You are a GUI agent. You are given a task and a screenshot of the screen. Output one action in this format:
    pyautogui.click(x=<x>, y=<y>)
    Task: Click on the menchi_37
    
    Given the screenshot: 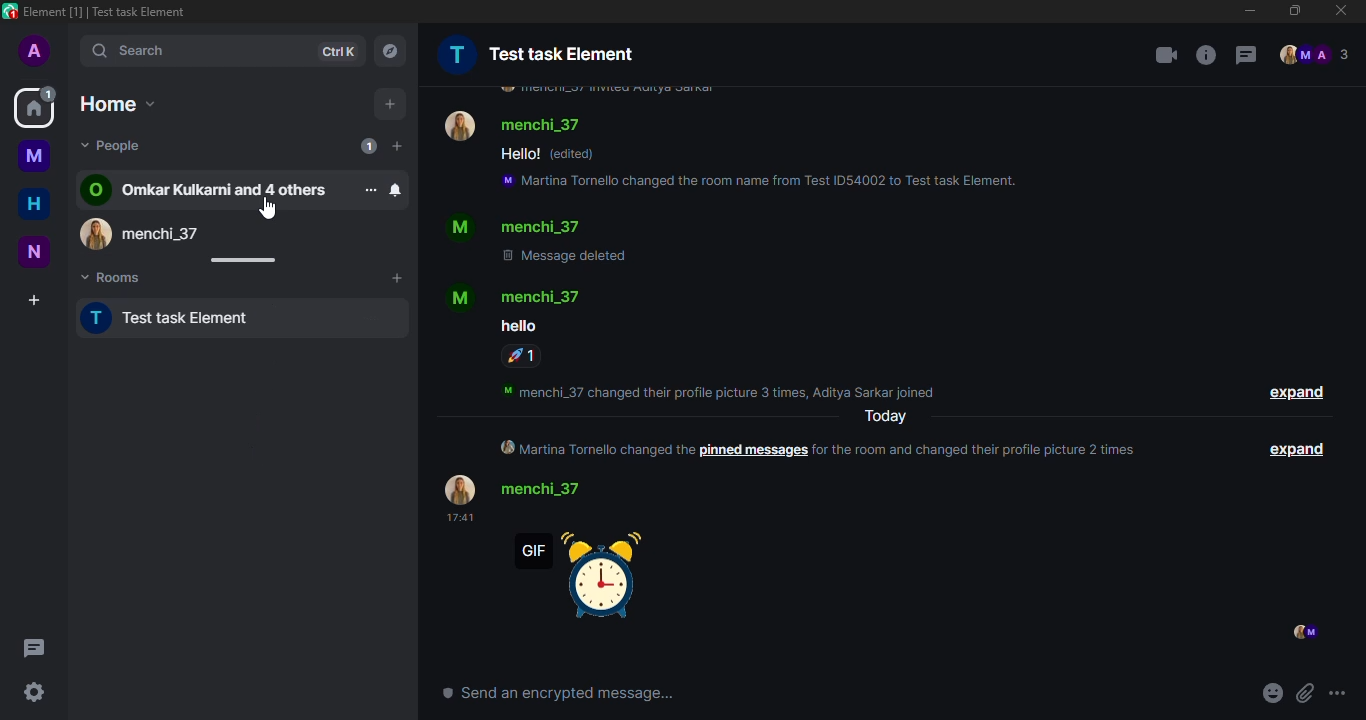 What is the action you would take?
    pyautogui.click(x=518, y=296)
    